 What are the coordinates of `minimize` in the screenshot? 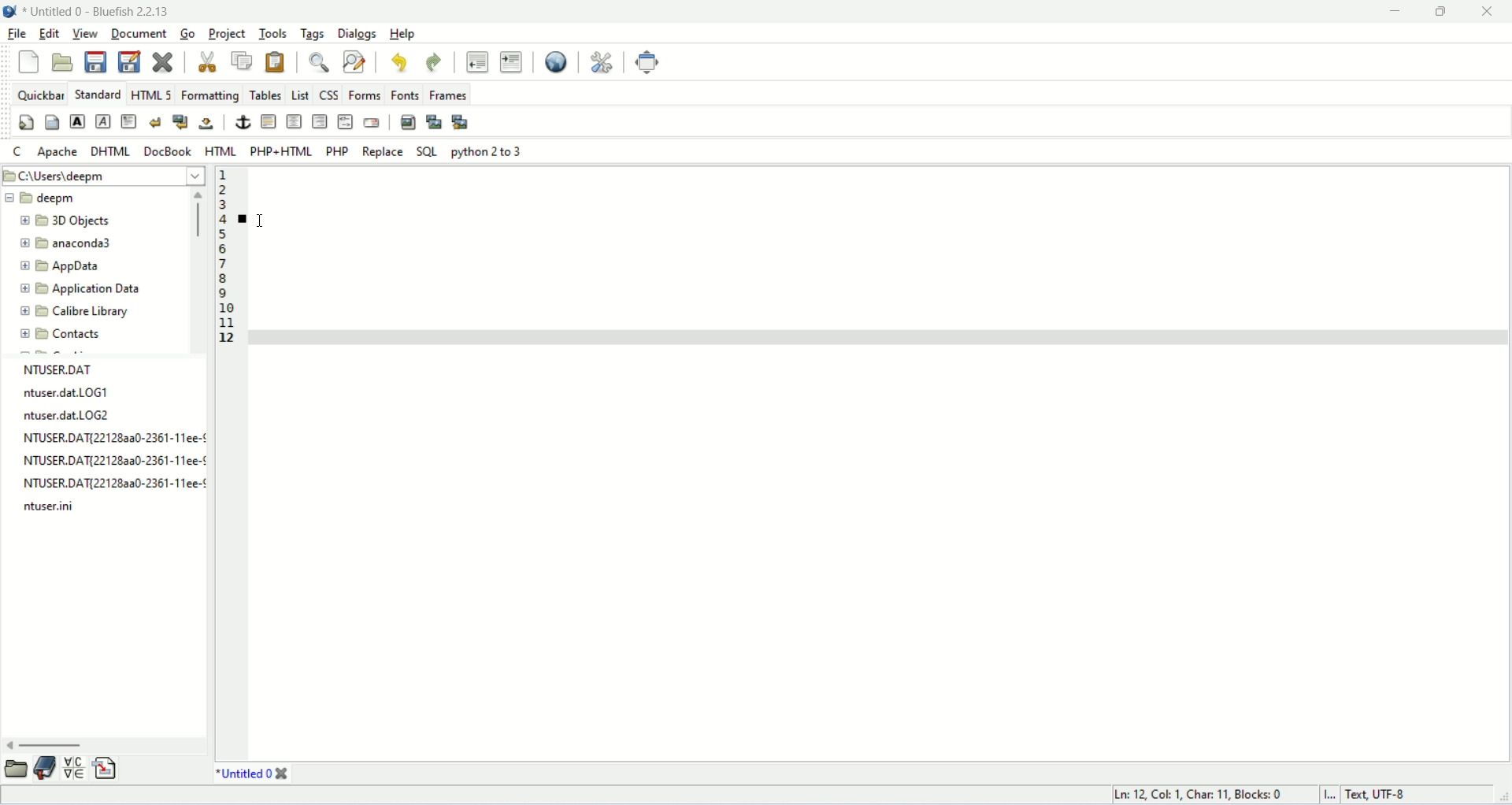 It's located at (1395, 13).